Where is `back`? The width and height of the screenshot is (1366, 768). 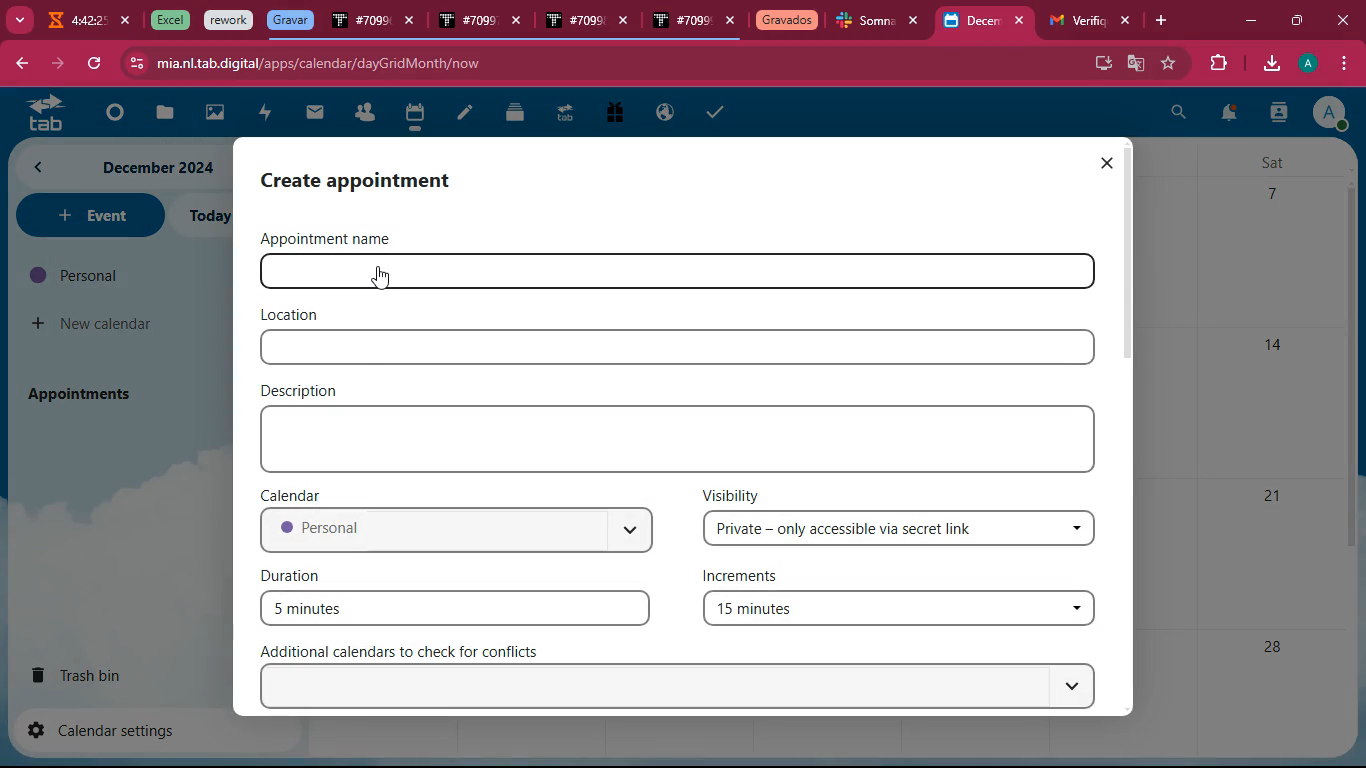 back is located at coordinates (20, 65).